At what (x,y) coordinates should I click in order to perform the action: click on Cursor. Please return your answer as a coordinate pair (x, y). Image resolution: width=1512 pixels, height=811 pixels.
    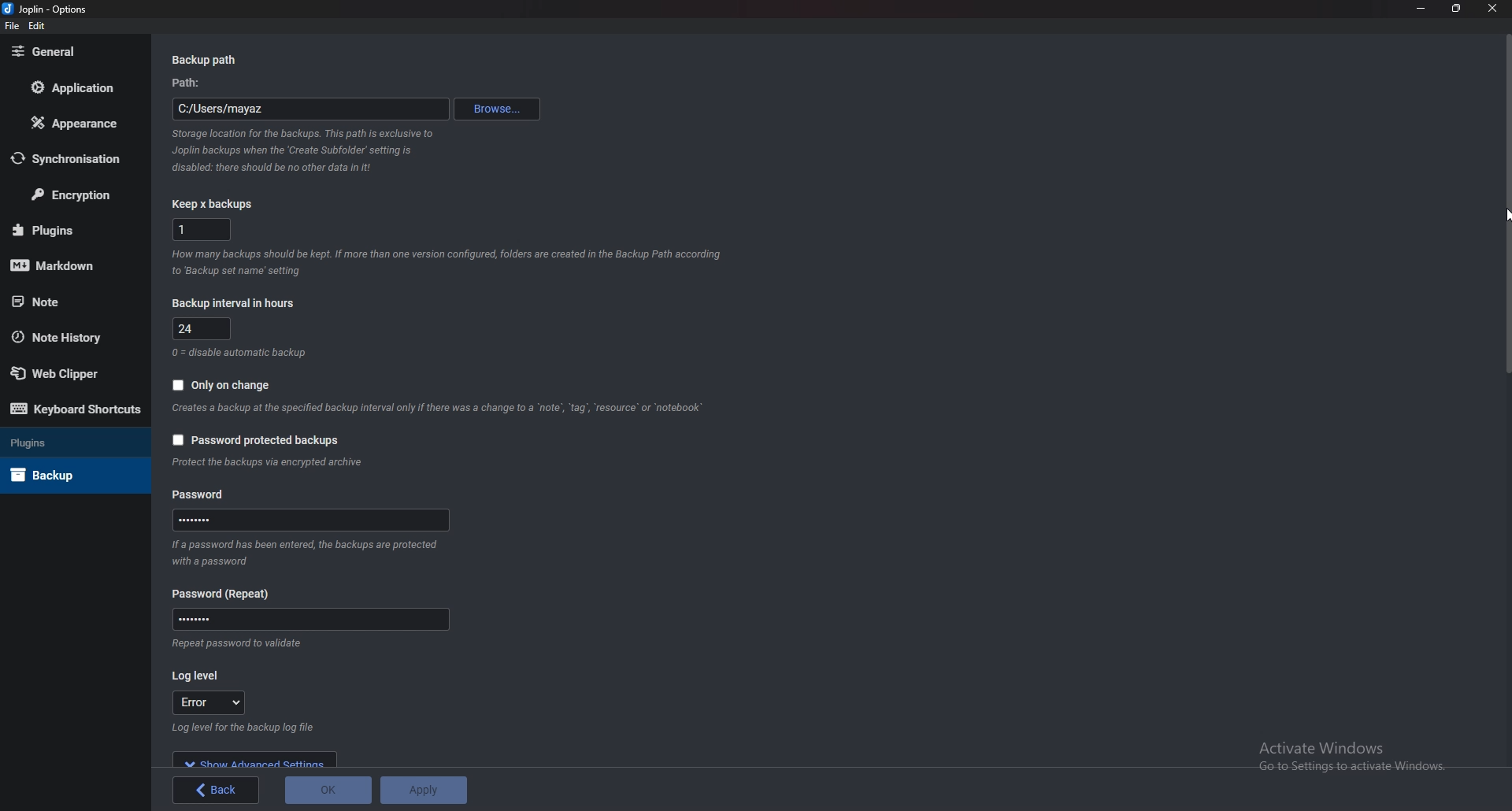
    Looking at the image, I should click on (1506, 213).